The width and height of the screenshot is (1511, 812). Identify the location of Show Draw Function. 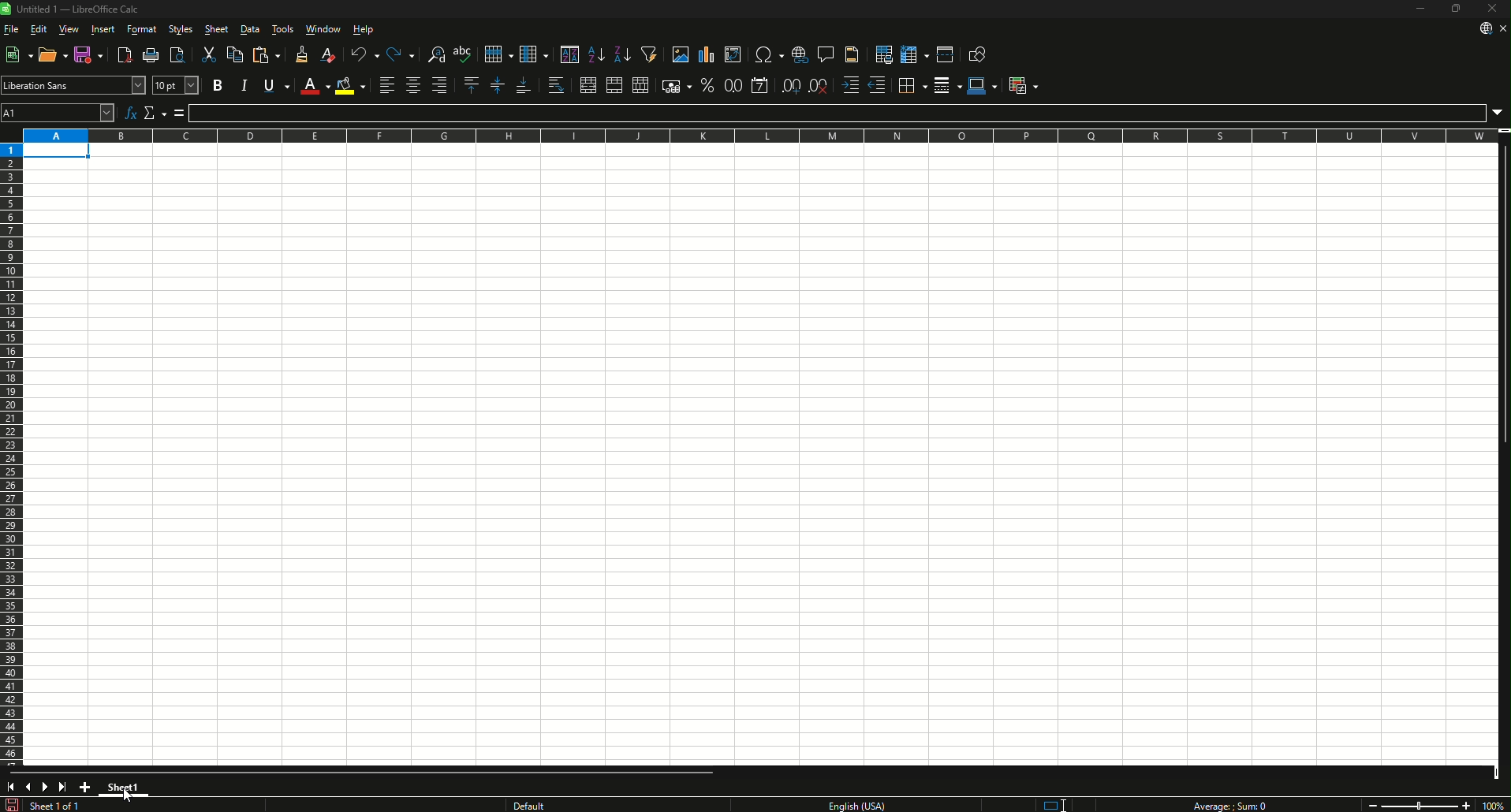
(979, 53).